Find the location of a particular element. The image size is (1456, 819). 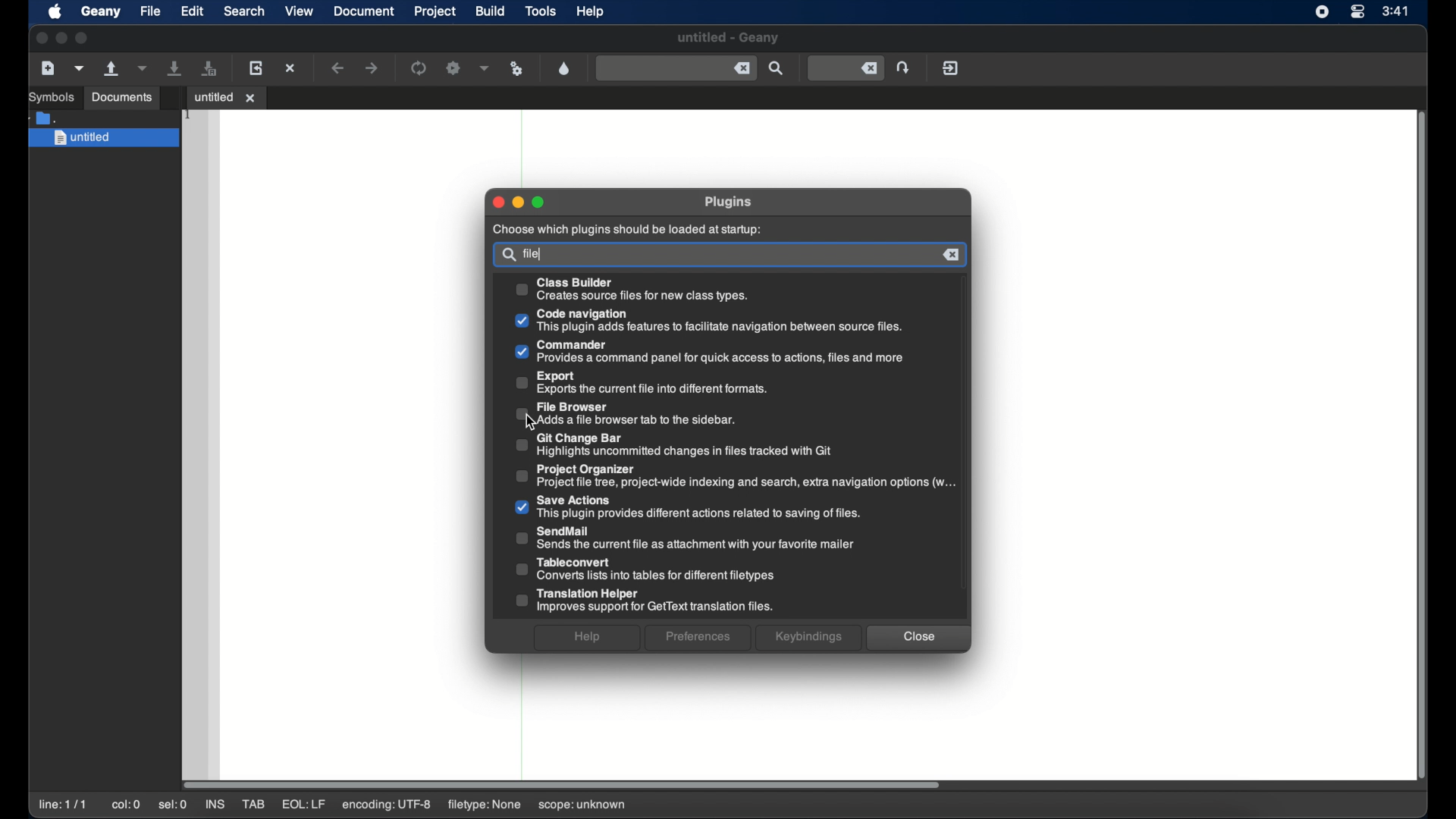

maximize is located at coordinates (82, 38).